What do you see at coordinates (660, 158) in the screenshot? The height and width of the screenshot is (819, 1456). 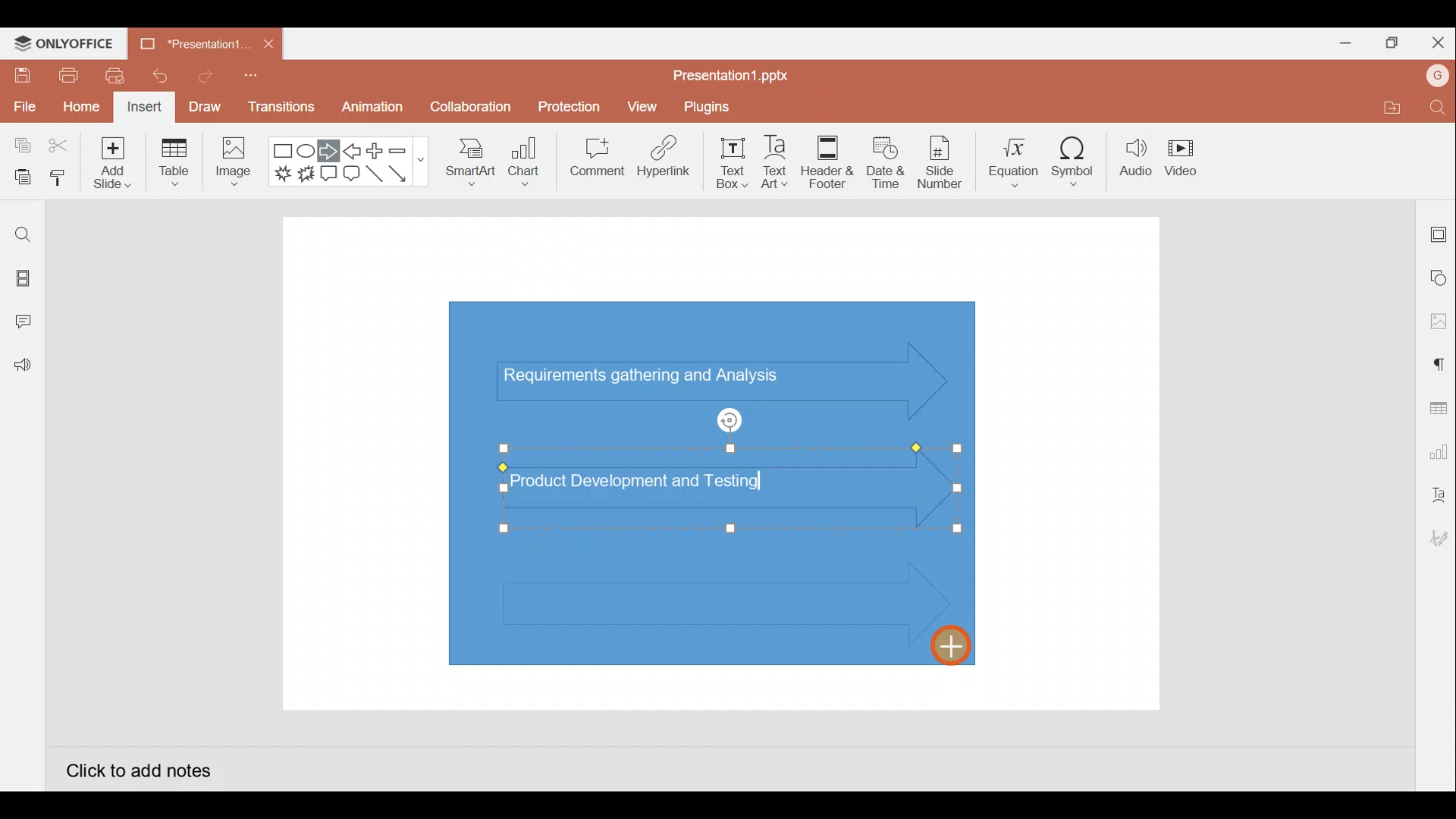 I see `Hyperlink` at bounding box center [660, 158].